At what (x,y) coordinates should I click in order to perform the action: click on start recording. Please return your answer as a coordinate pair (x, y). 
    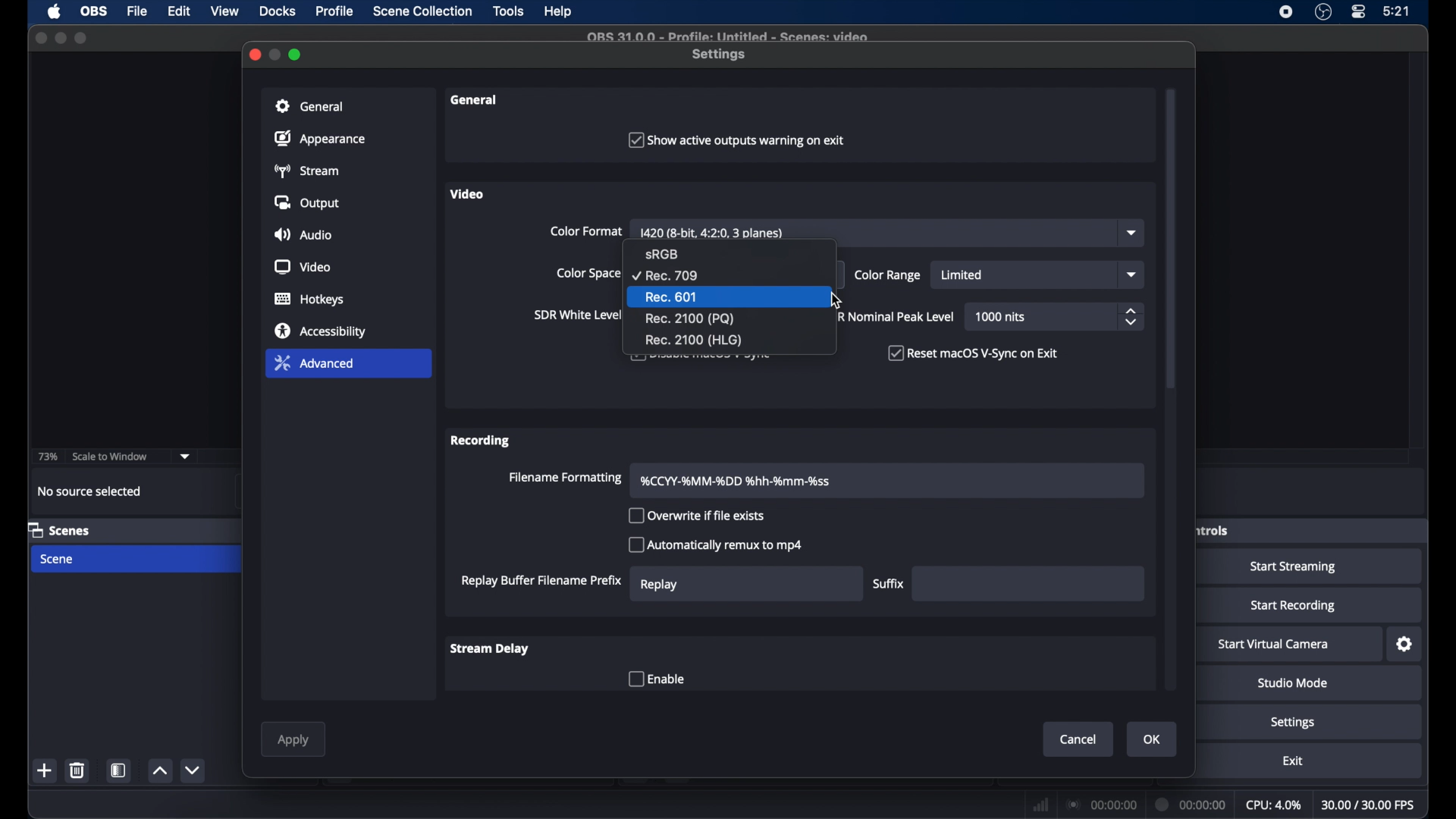
    Looking at the image, I should click on (1292, 607).